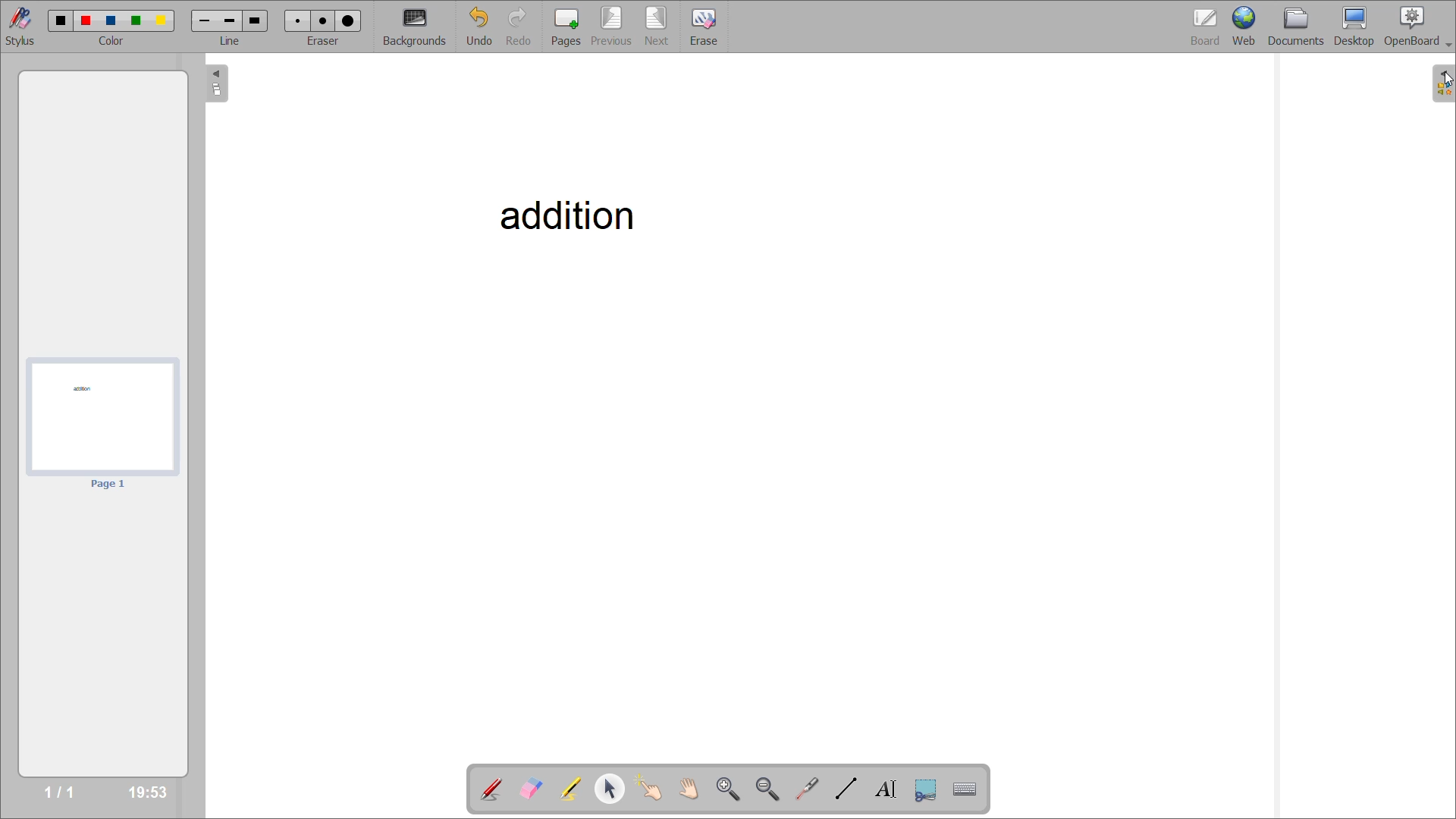 The width and height of the screenshot is (1456, 819). What do you see at coordinates (613, 790) in the screenshot?
I see `select and modify  objects` at bounding box center [613, 790].